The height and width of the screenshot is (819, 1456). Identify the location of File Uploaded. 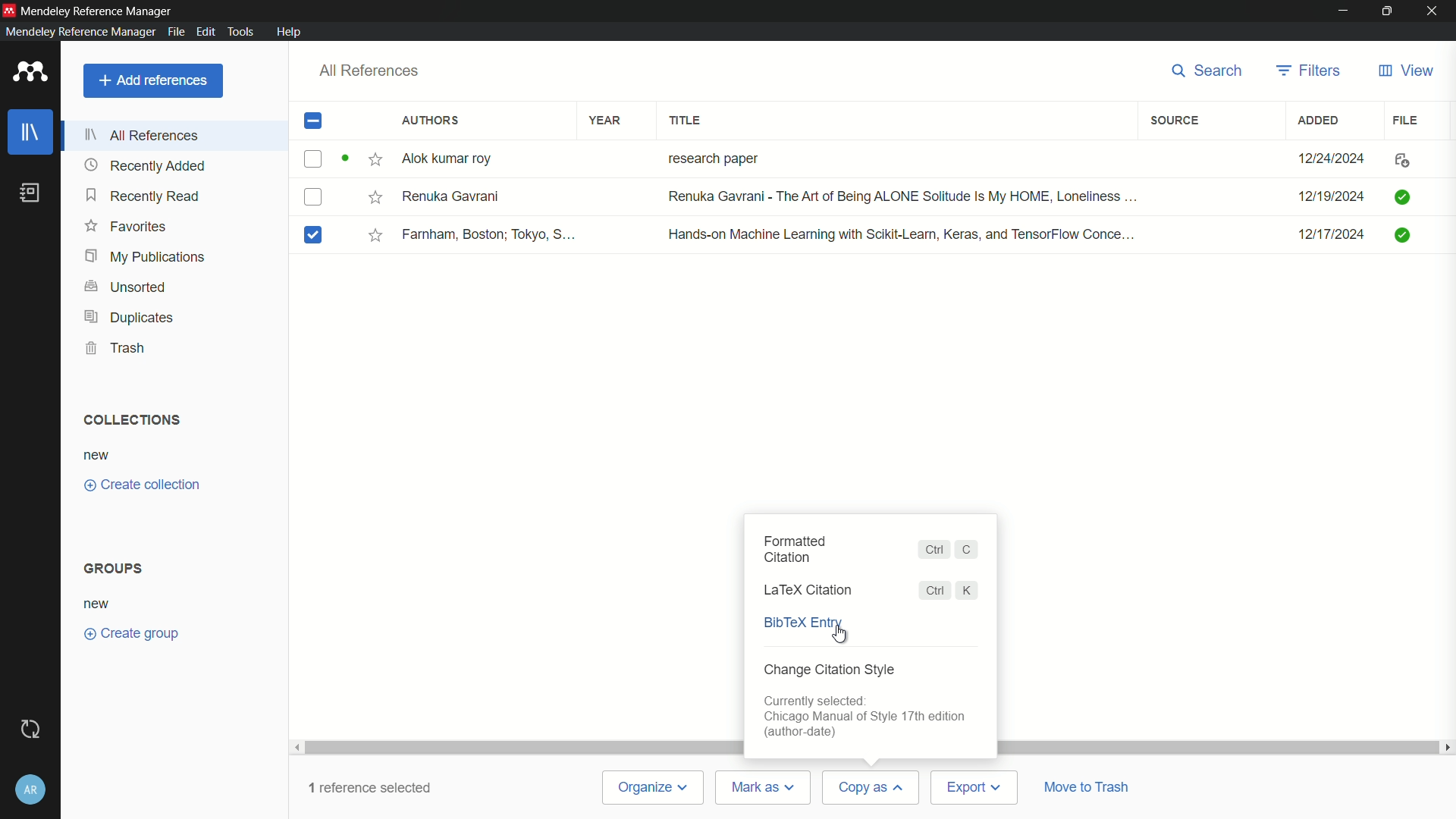
(1418, 240).